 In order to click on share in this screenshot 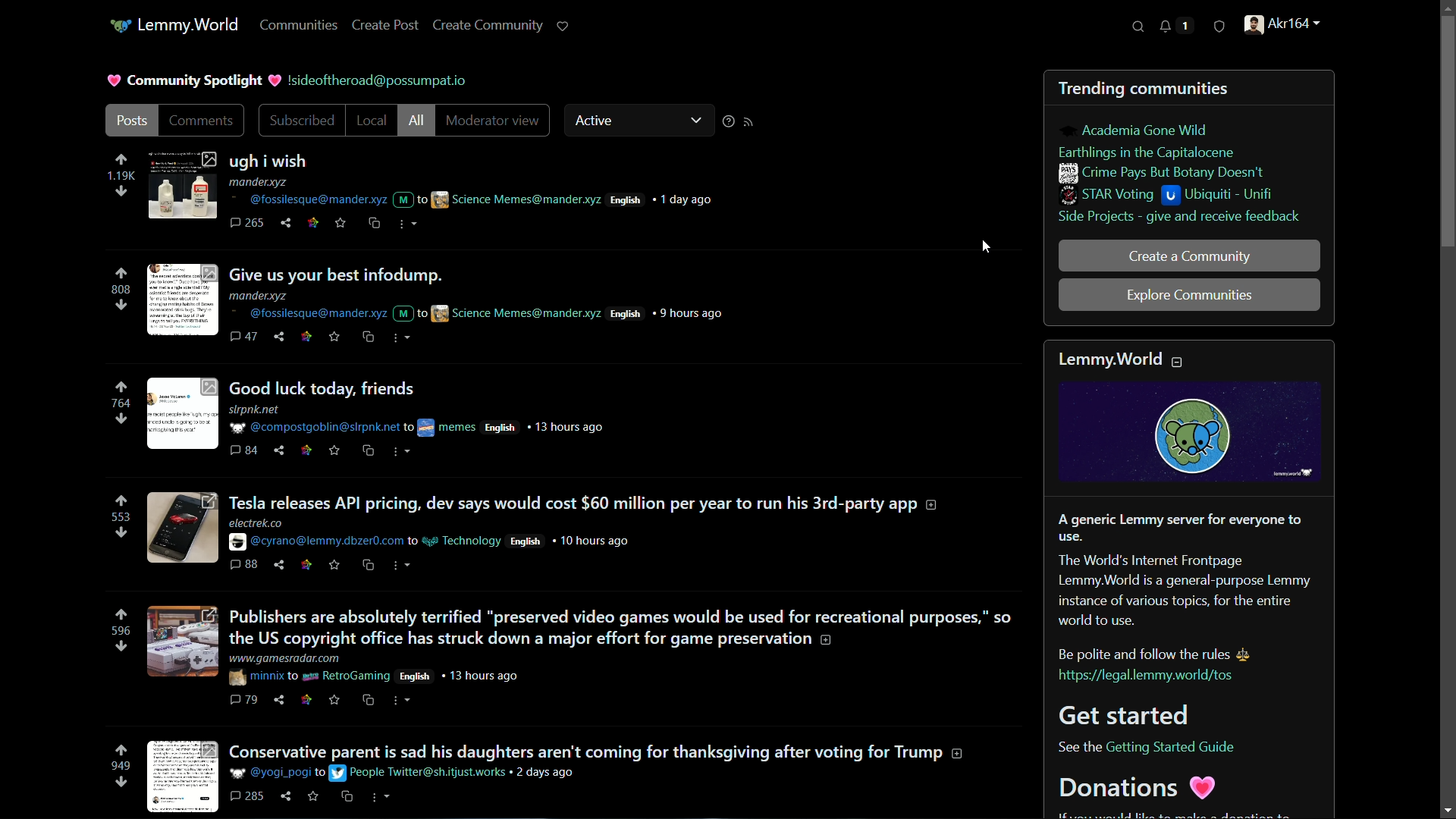, I will do `click(281, 565)`.